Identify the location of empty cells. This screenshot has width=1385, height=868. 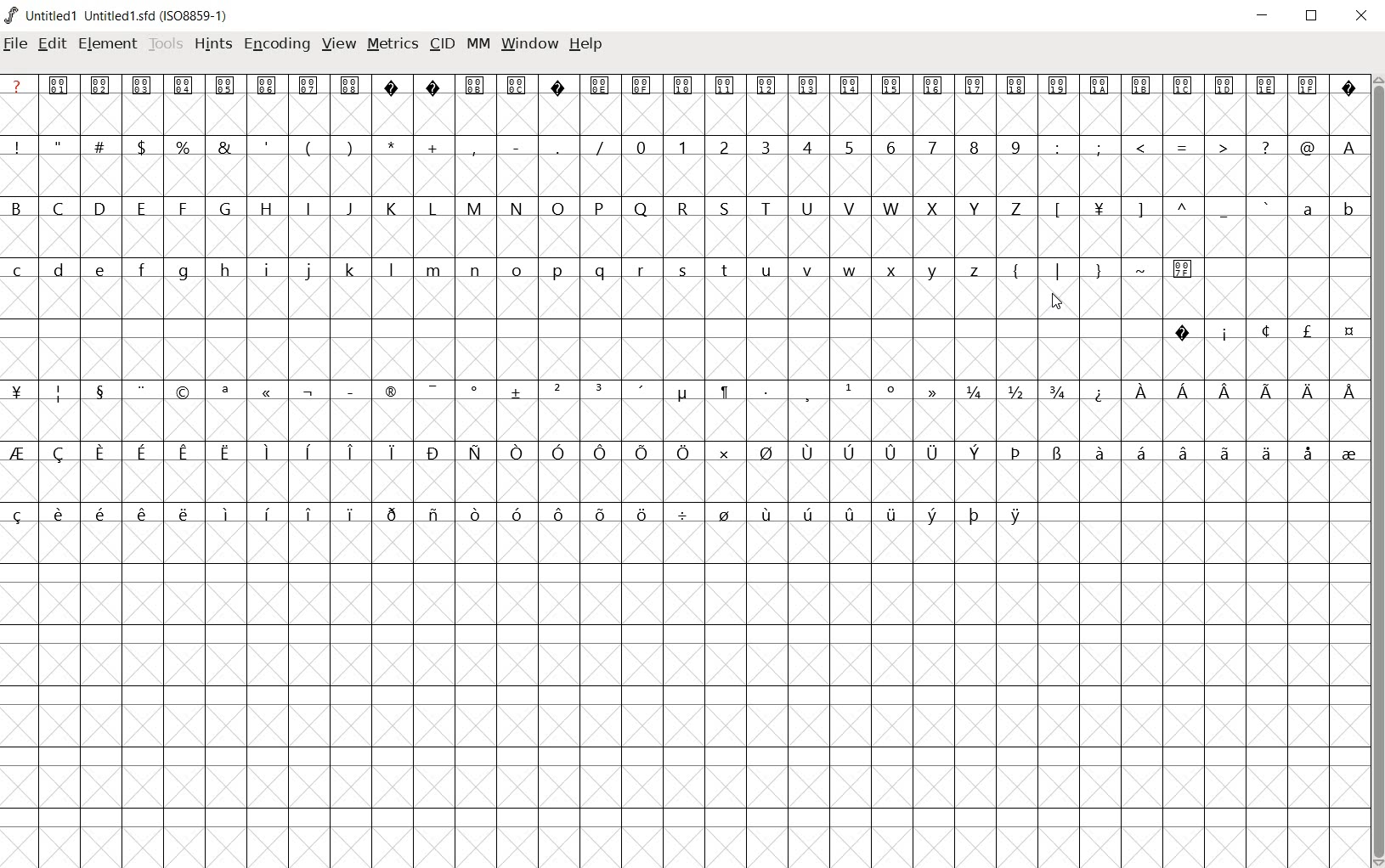
(685, 176).